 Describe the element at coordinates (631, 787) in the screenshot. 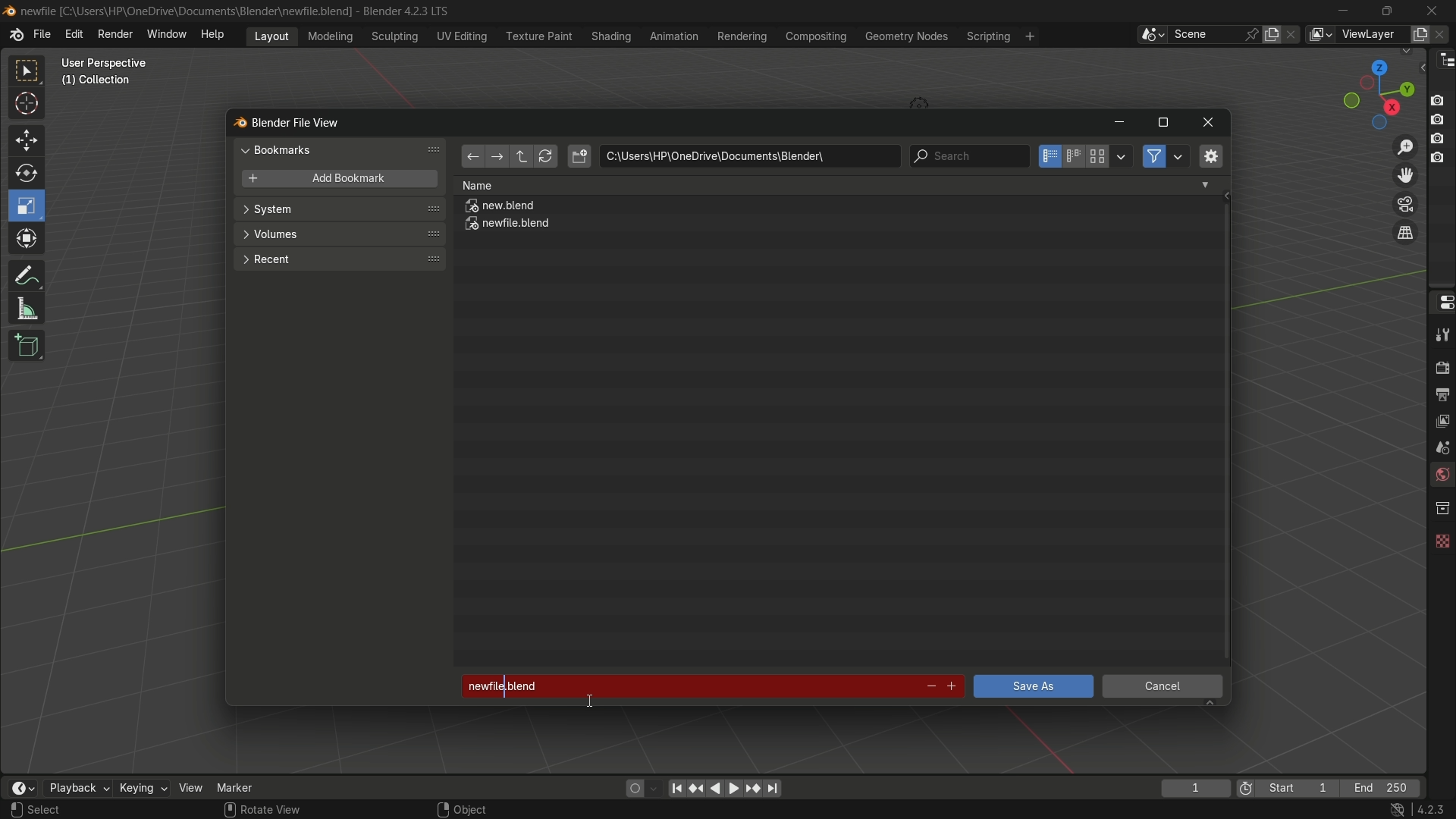

I see `auto keying` at that location.